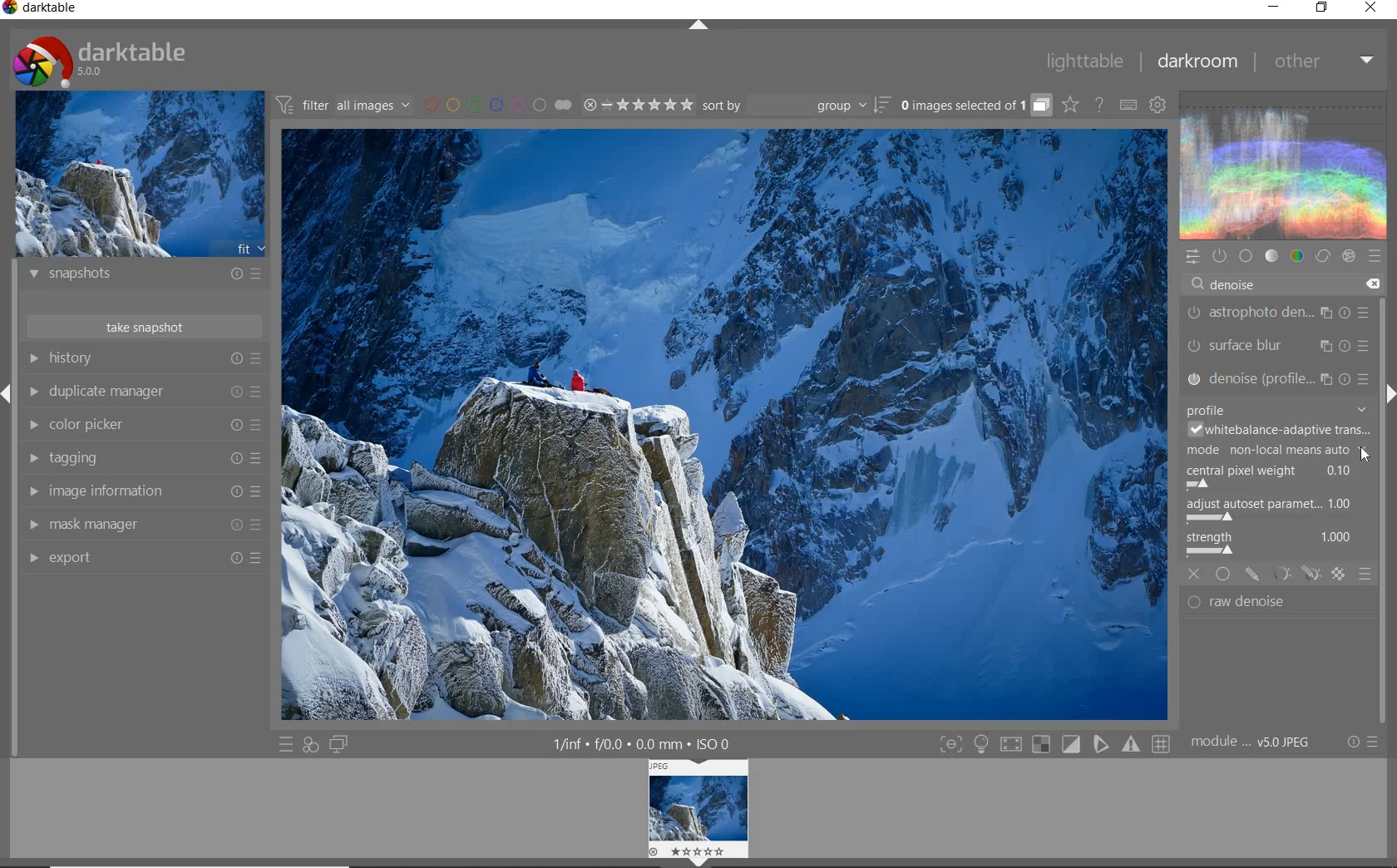 Image resolution: width=1397 pixels, height=868 pixels. What do you see at coordinates (1101, 106) in the screenshot?
I see `enable online help` at bounding box center [1101, 106].